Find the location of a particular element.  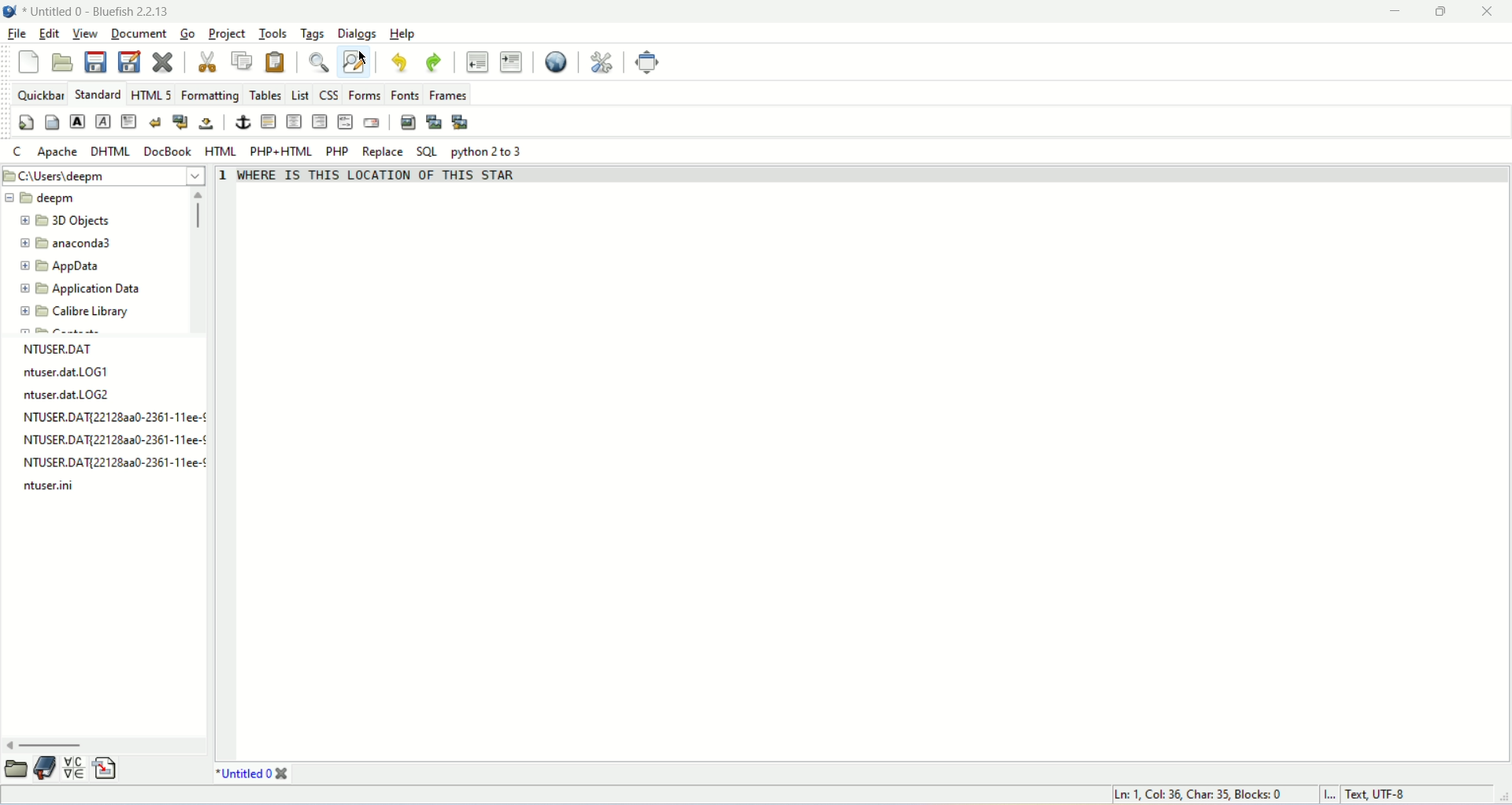

3D Objects is located at coordinates (67, 222).